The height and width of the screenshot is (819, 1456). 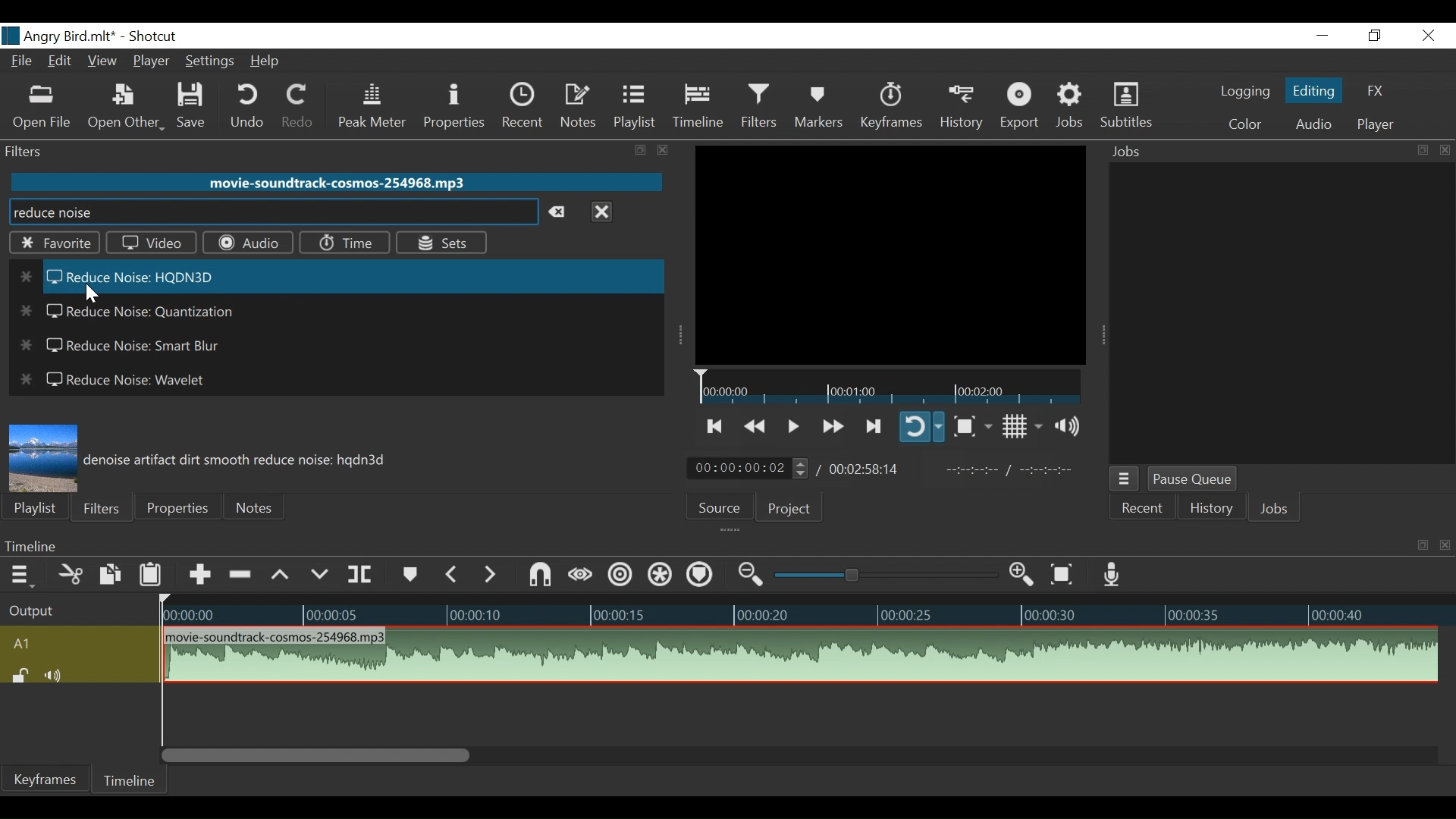 What do you see at coordinates (56, 674) in the screenshot?
I see `Mute` at bounding box center [56, 674].